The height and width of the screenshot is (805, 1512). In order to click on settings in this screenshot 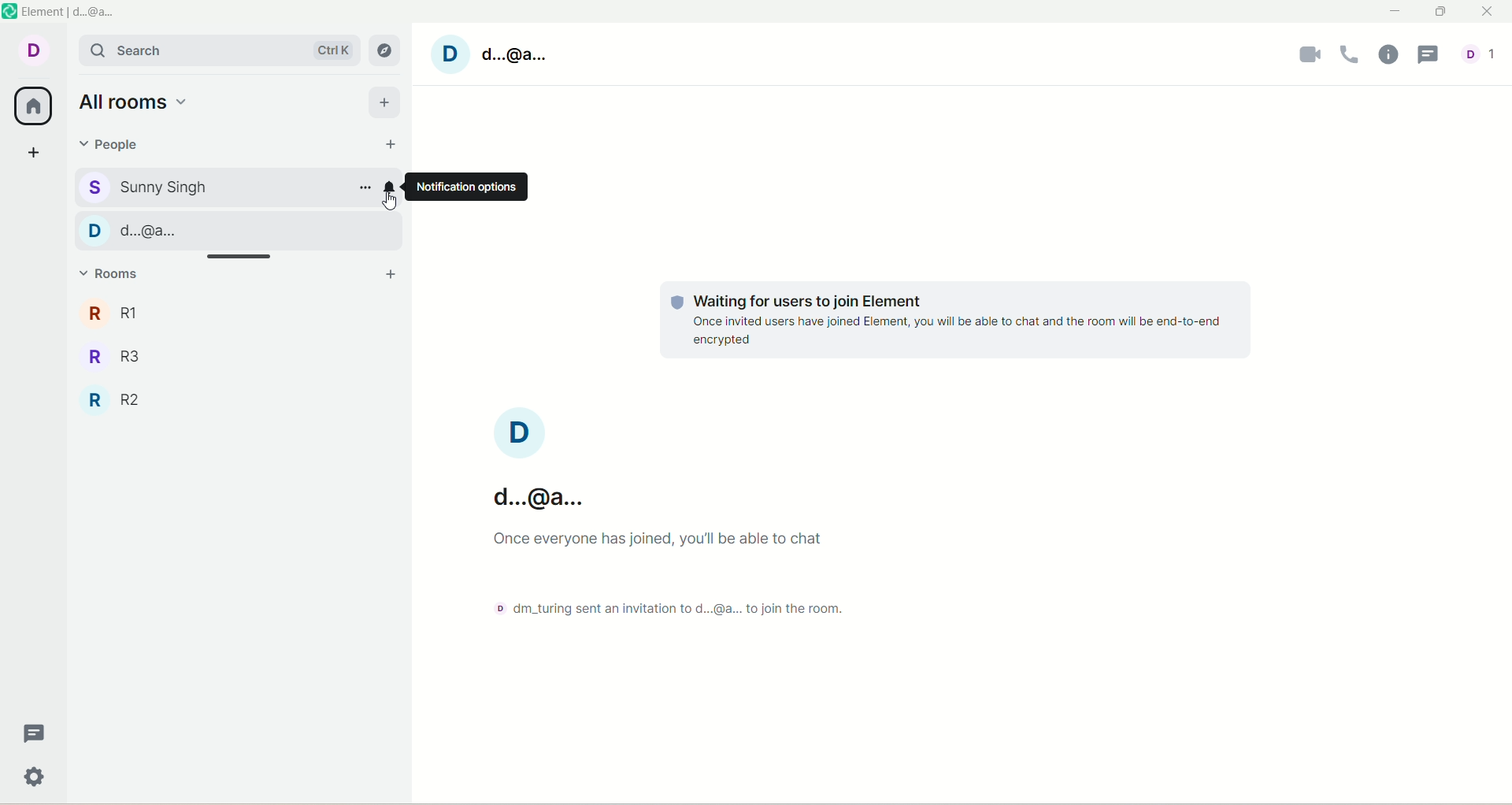, I will do `click(36, 775)`.